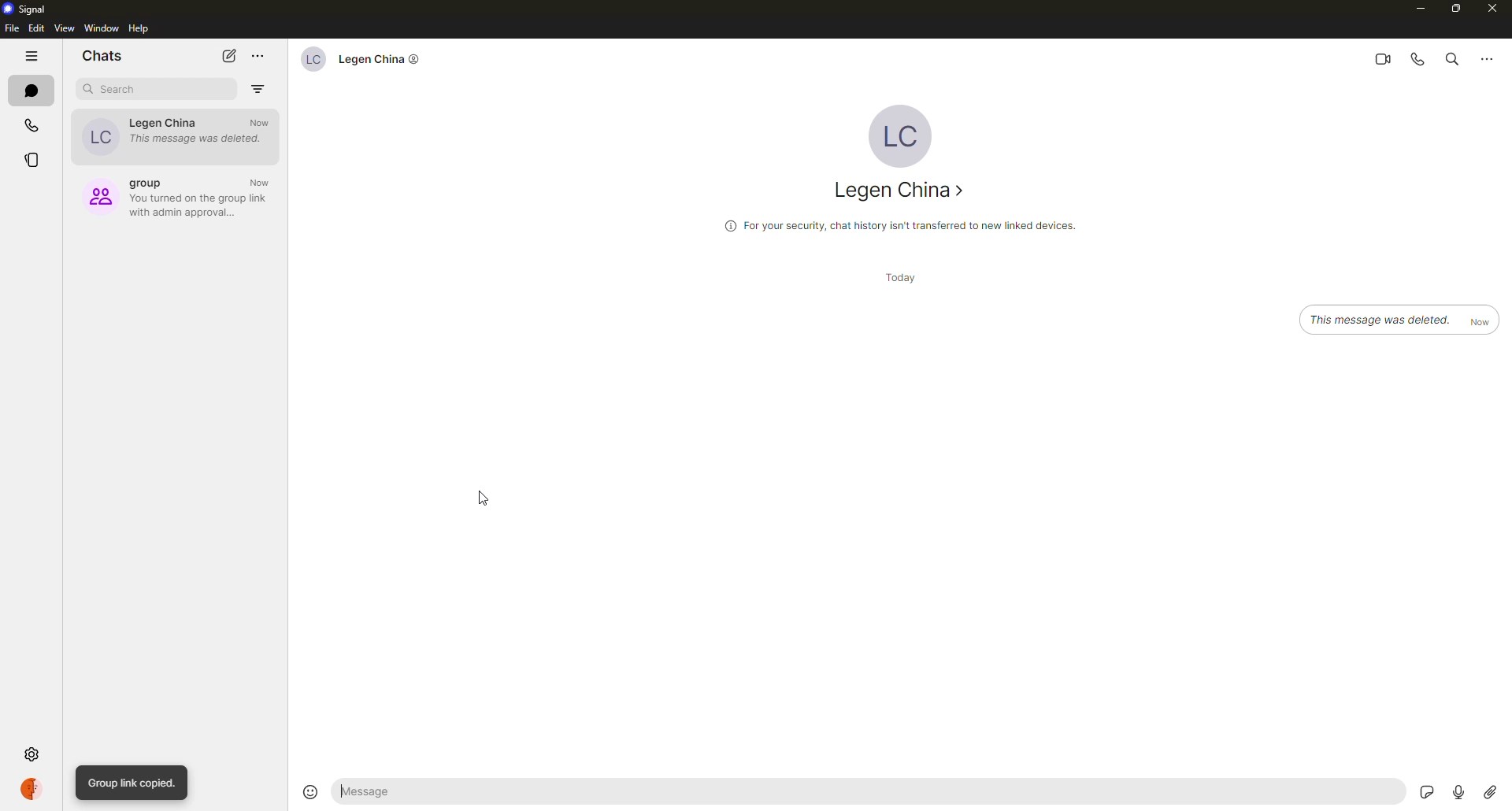 Image resolution: width=1512 pixels, height=811 pixels. I want to click on edit, so click(36, 28).